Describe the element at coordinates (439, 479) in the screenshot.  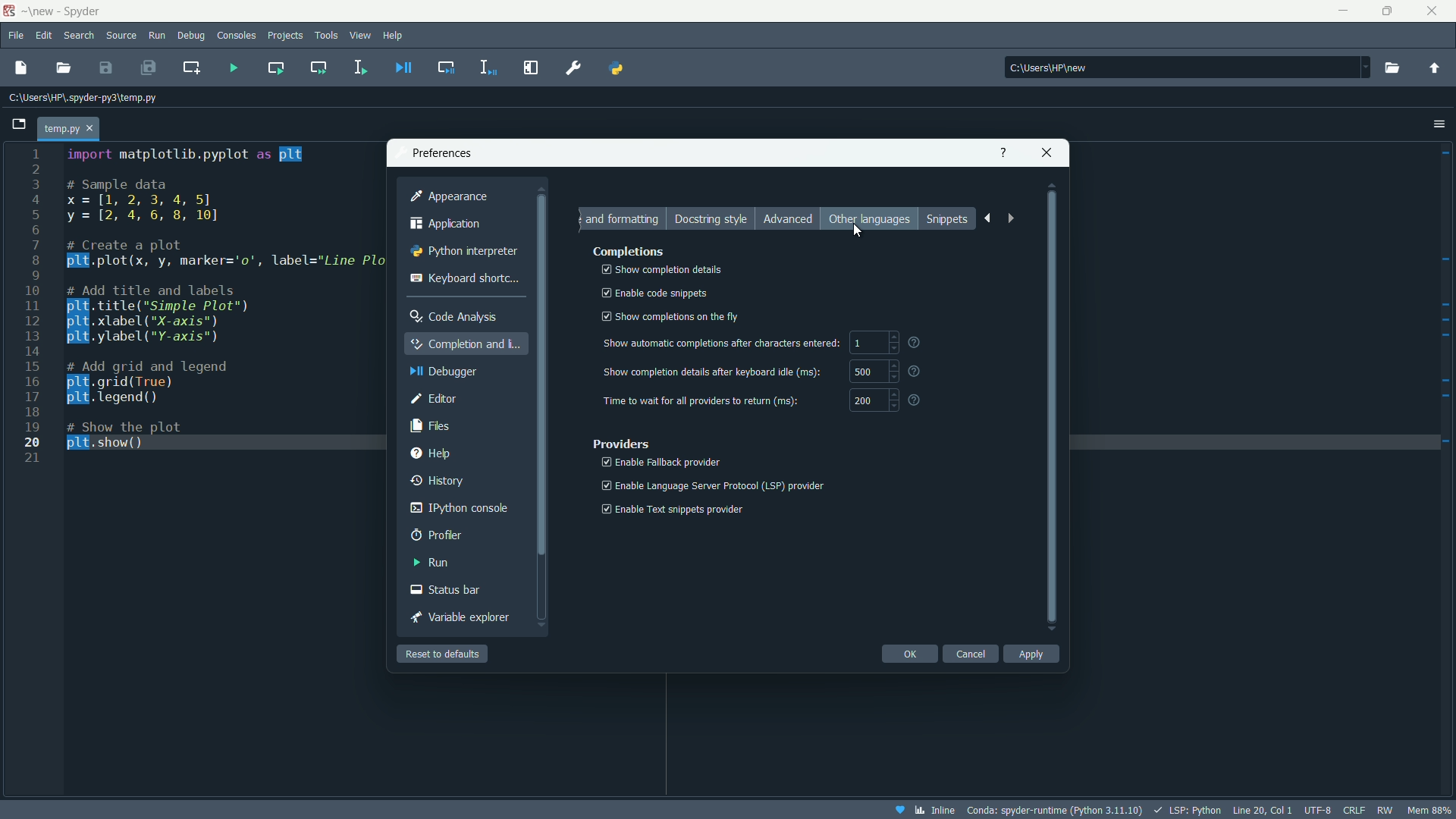
I see `history` at that location.